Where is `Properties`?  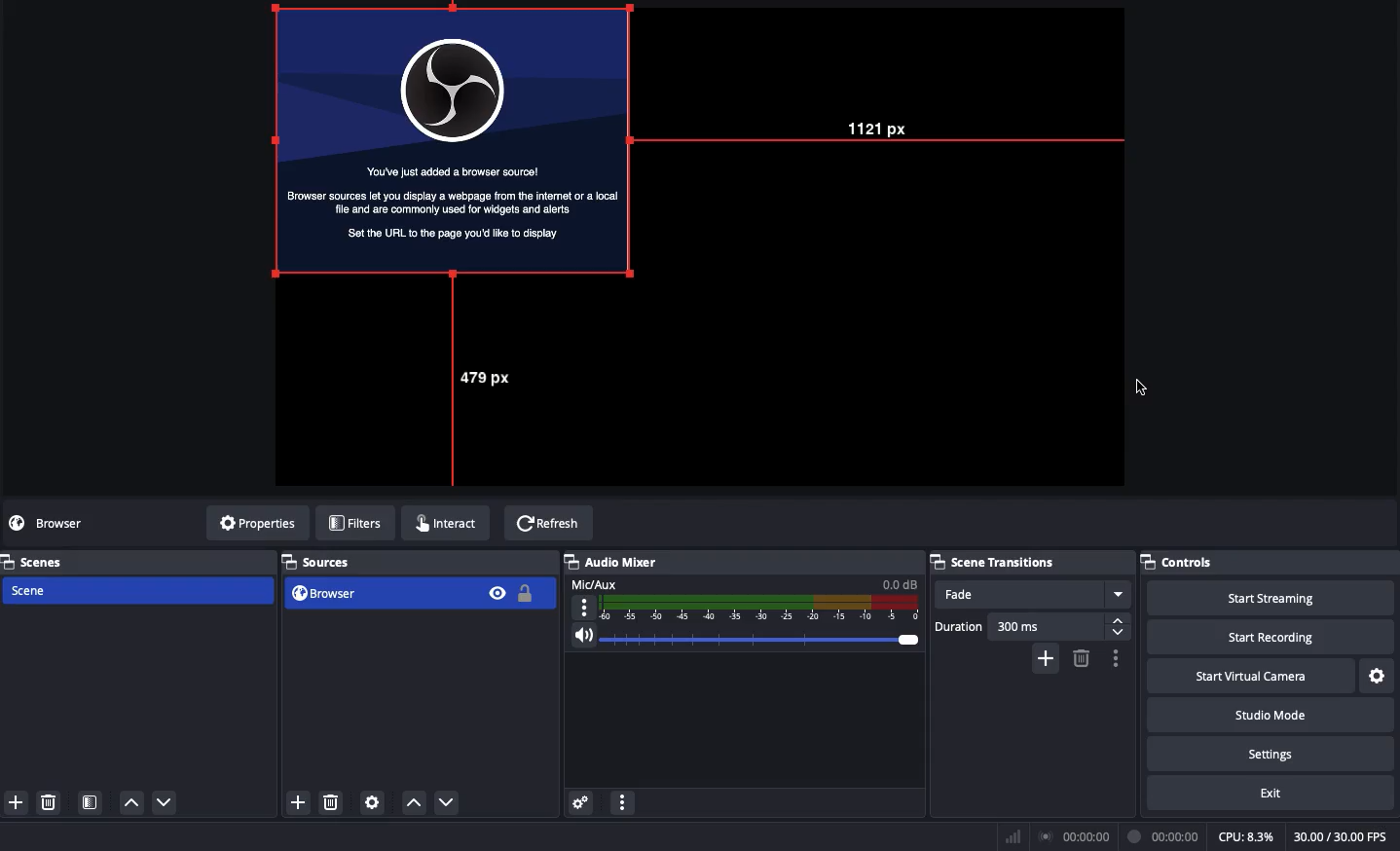 Properties is located at coordinates (258, 524).